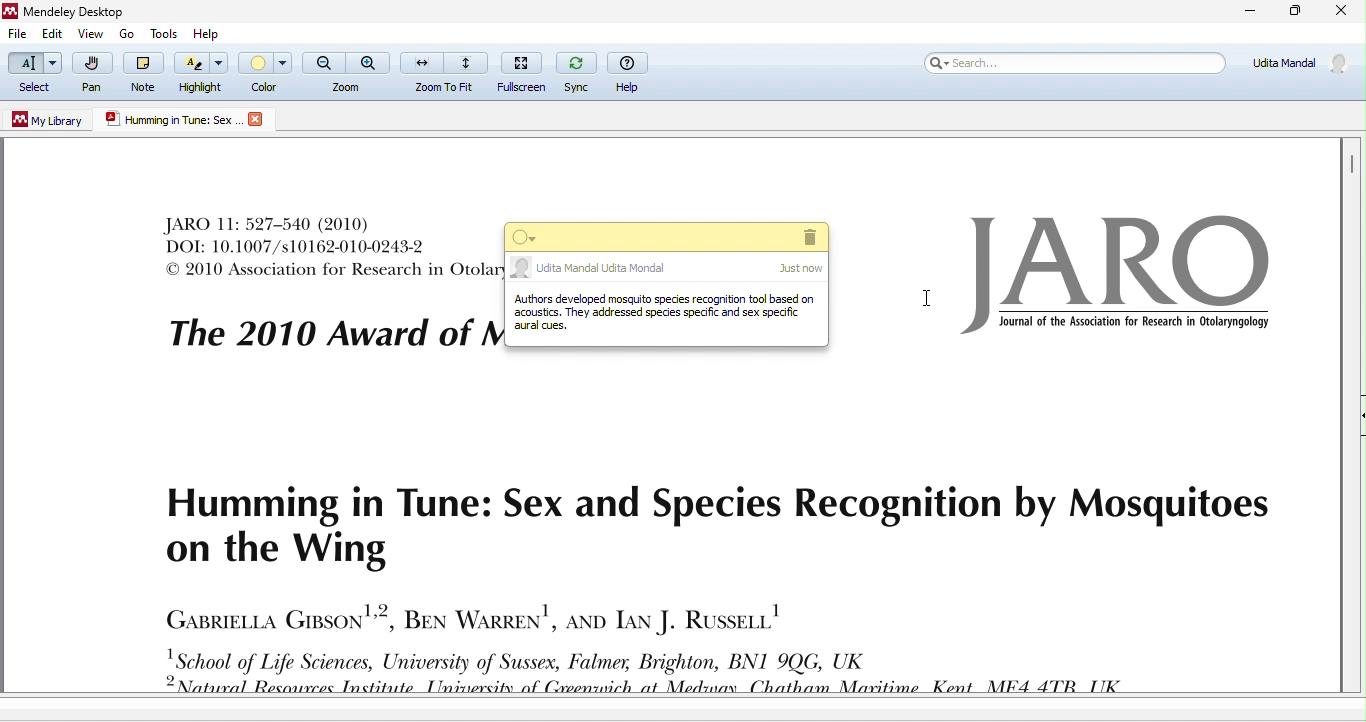  Describe the element at coordinates (1115, 279) in the screenshot. I see `jaro -  Journal of the Association for Research in Otolaryngology` at that location.